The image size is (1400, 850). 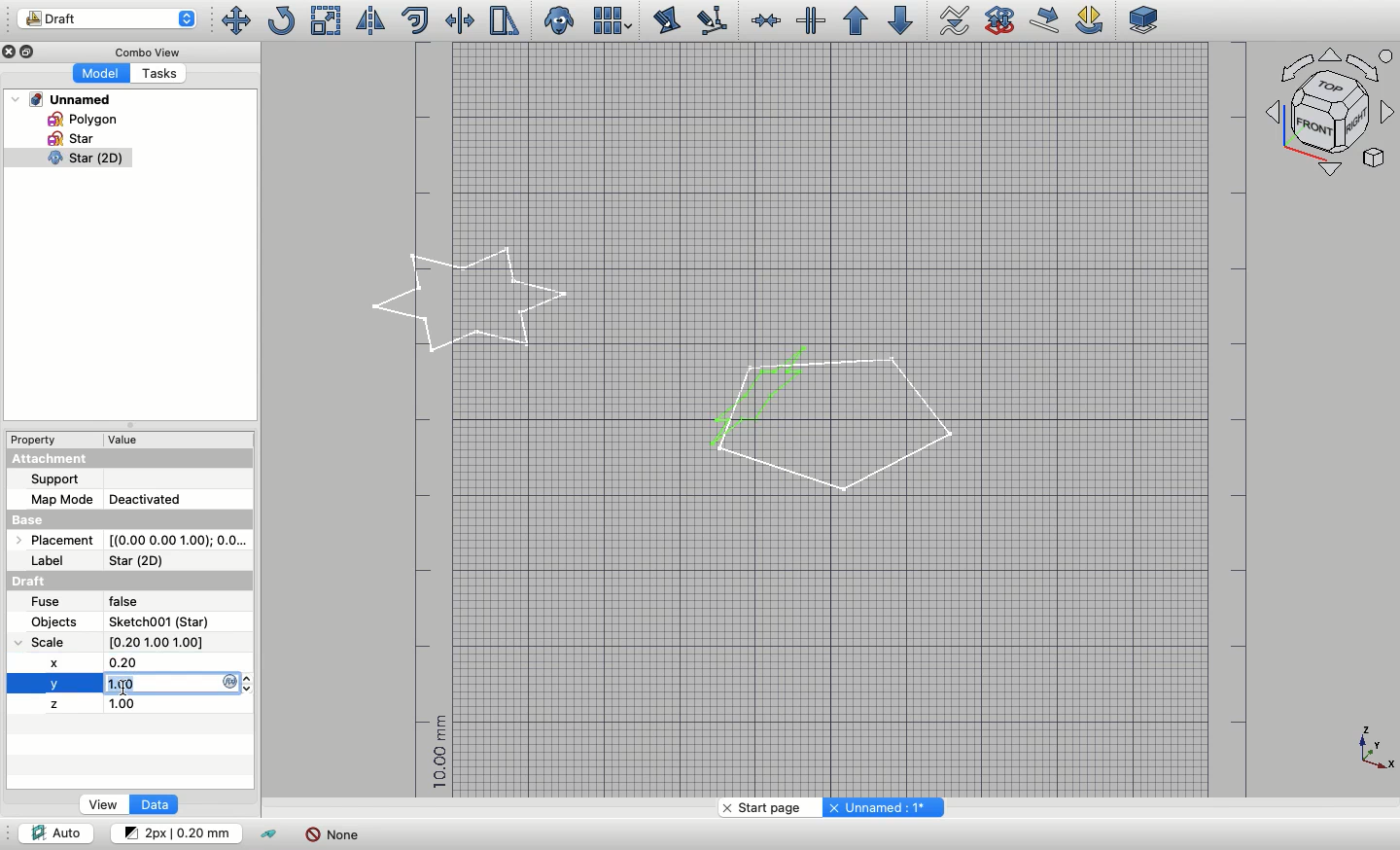 What do you see at coordinates (122, 690) in the screenshot?
I see `Cursor` at bounding box center [122, 690].